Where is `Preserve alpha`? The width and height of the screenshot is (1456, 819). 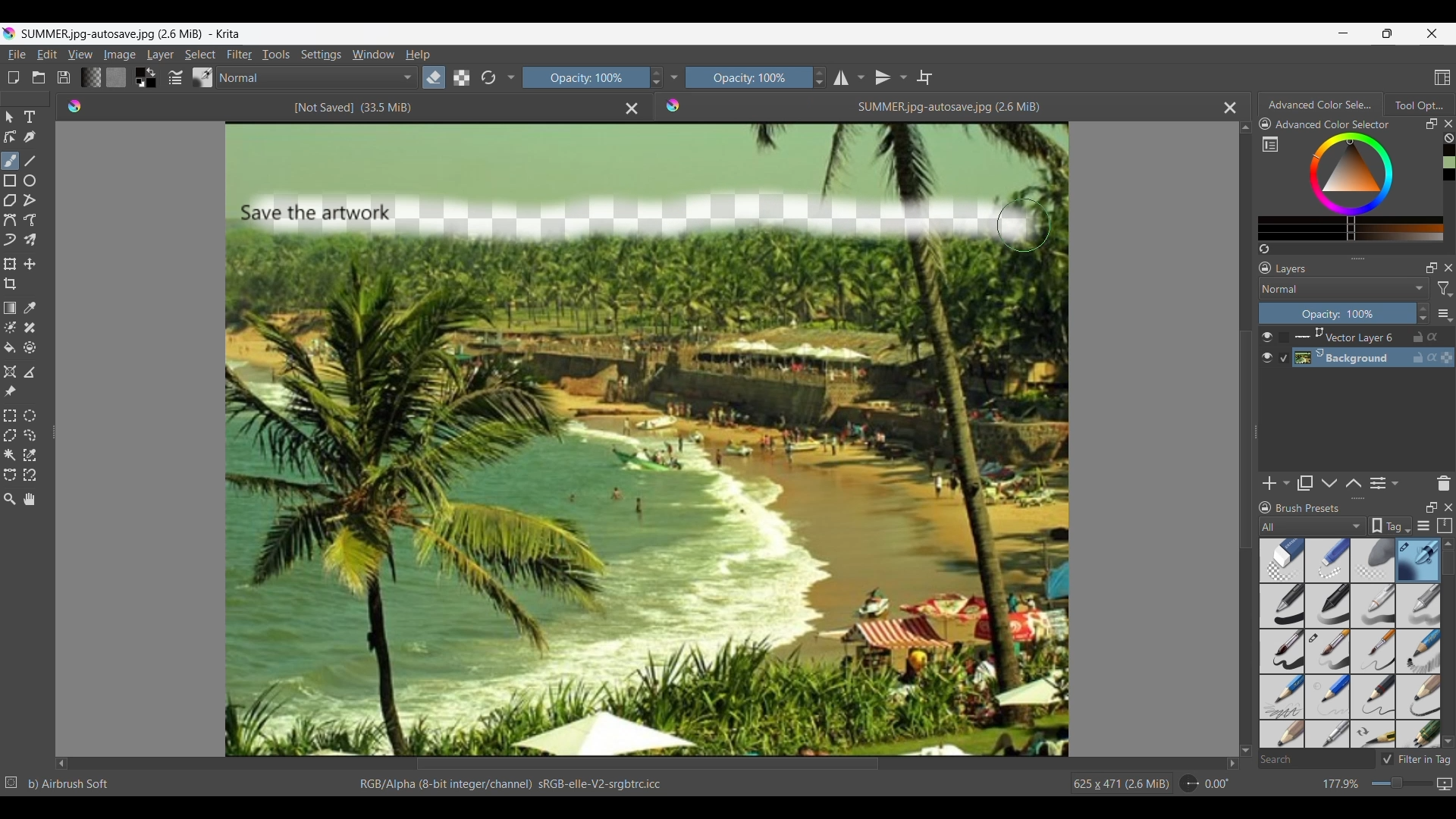
Preserve alpha is located at coordinates (462, 77).